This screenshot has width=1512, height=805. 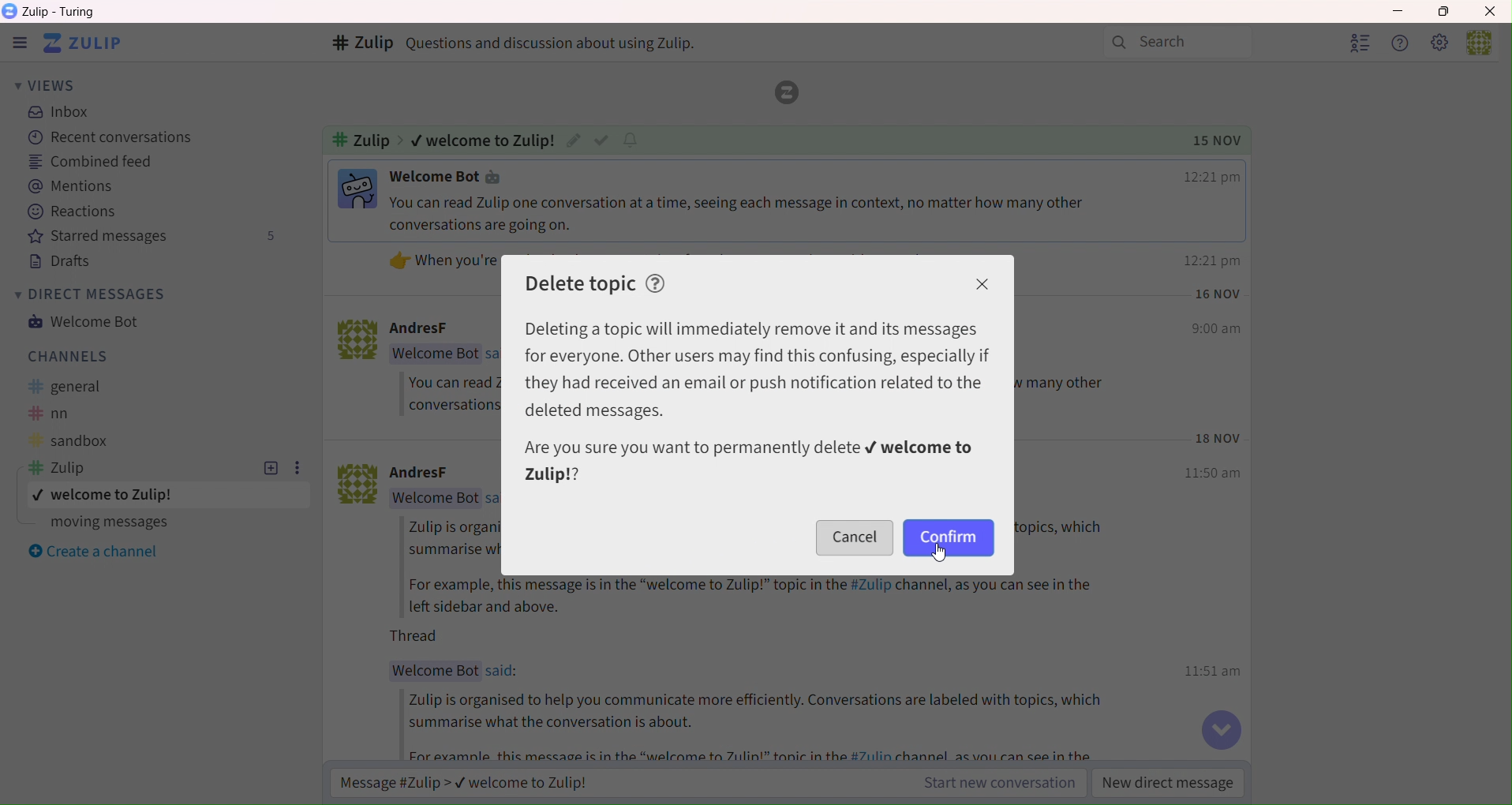 What do you see at coordinates (504, 672) in the screenshot?
I see `Text` at bounding box center [504, 672].